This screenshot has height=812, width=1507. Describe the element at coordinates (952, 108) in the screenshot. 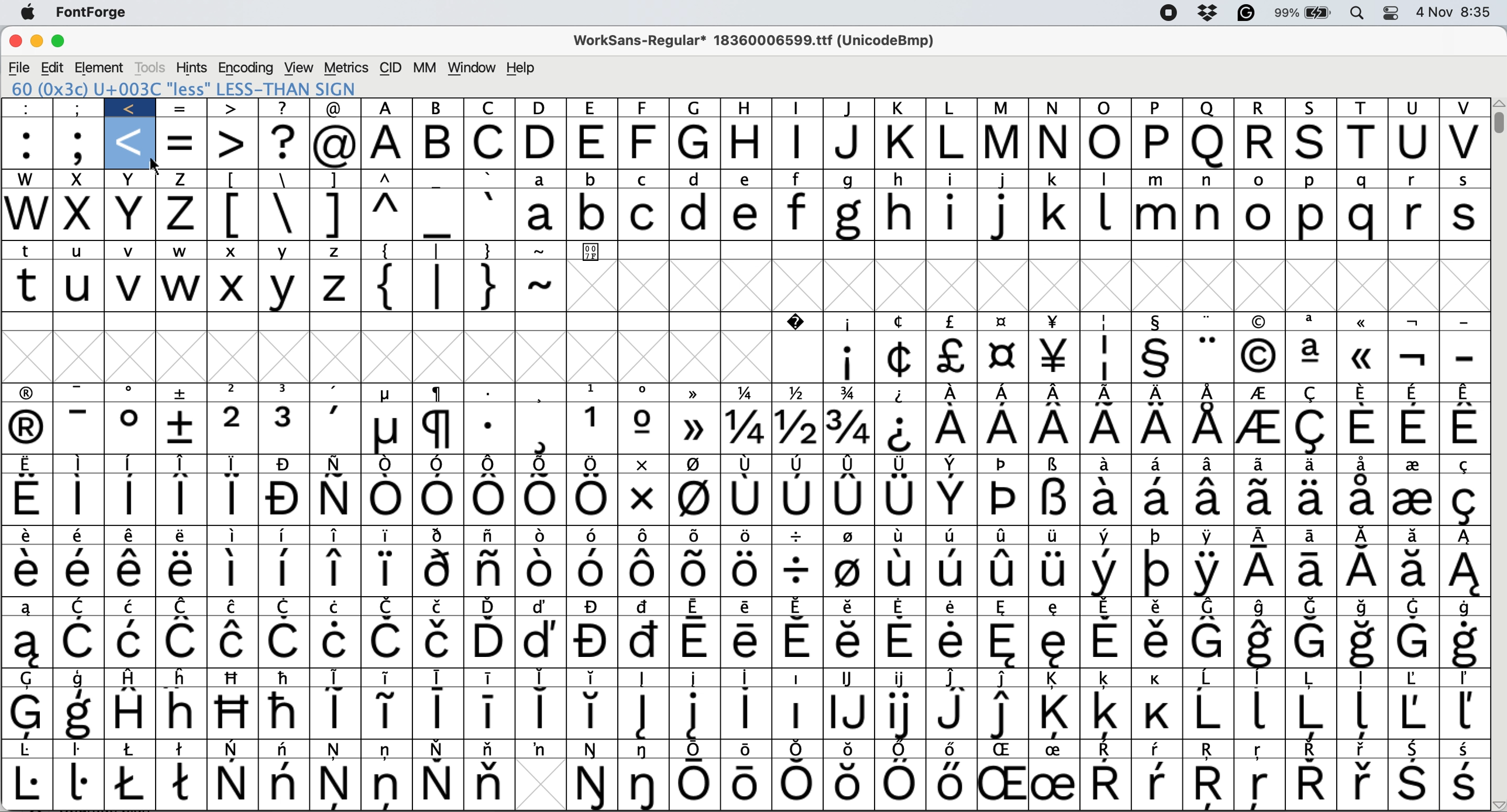

I see `l` at that location.